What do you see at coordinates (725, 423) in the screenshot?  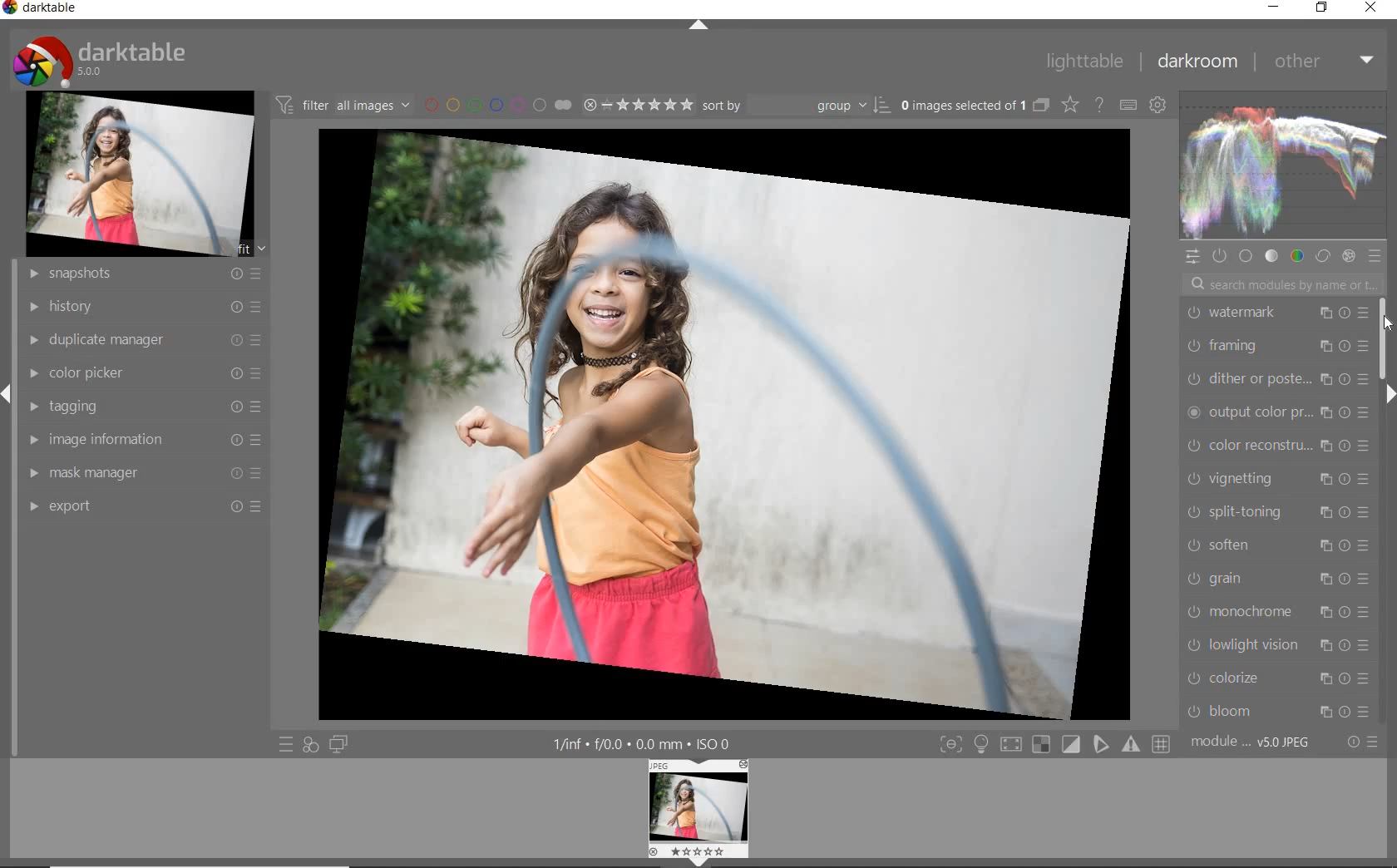 I see `selected image` at bounding box center [725, 423].